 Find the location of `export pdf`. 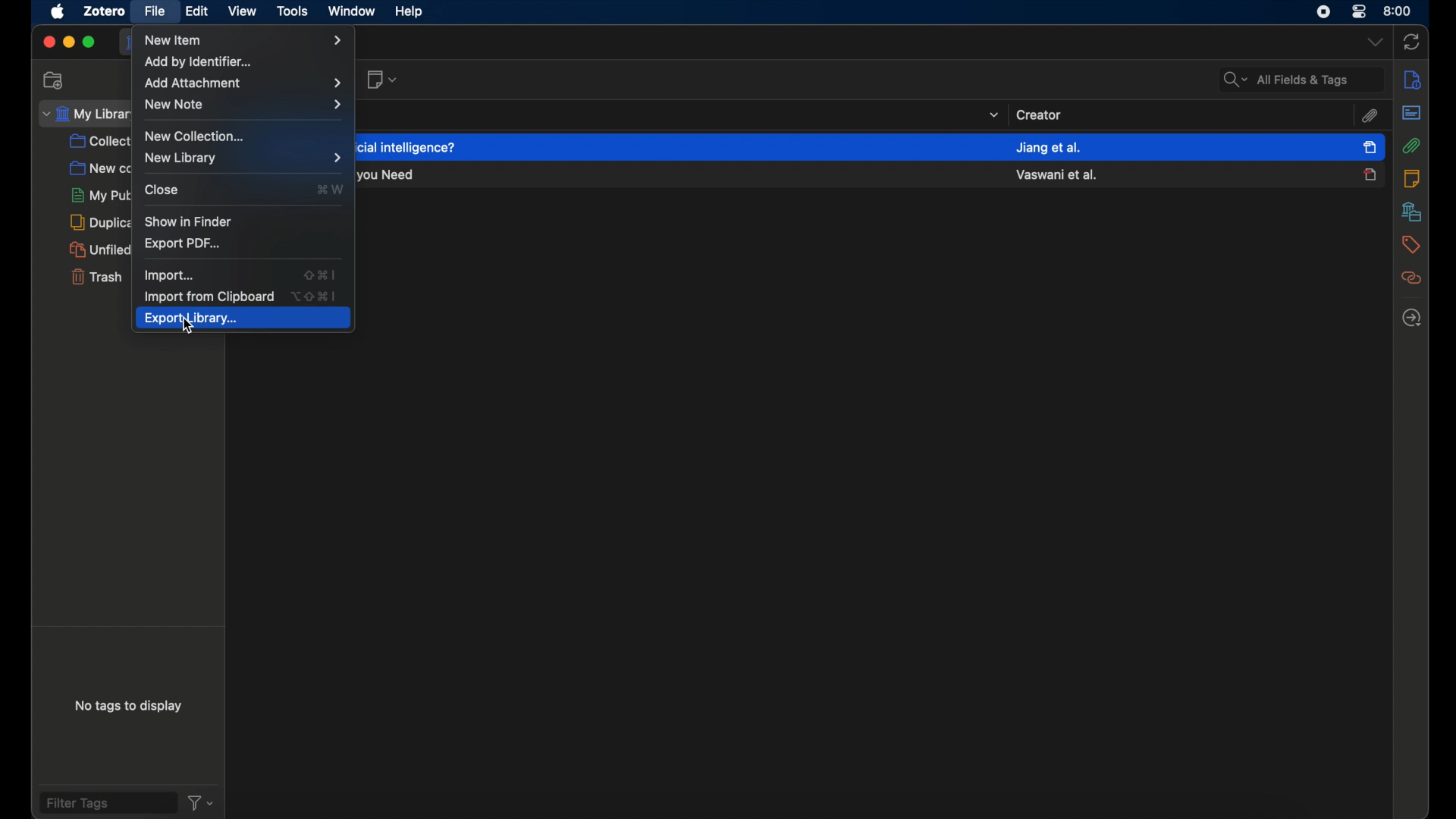

export pdf is located at coordinates (183, 244).